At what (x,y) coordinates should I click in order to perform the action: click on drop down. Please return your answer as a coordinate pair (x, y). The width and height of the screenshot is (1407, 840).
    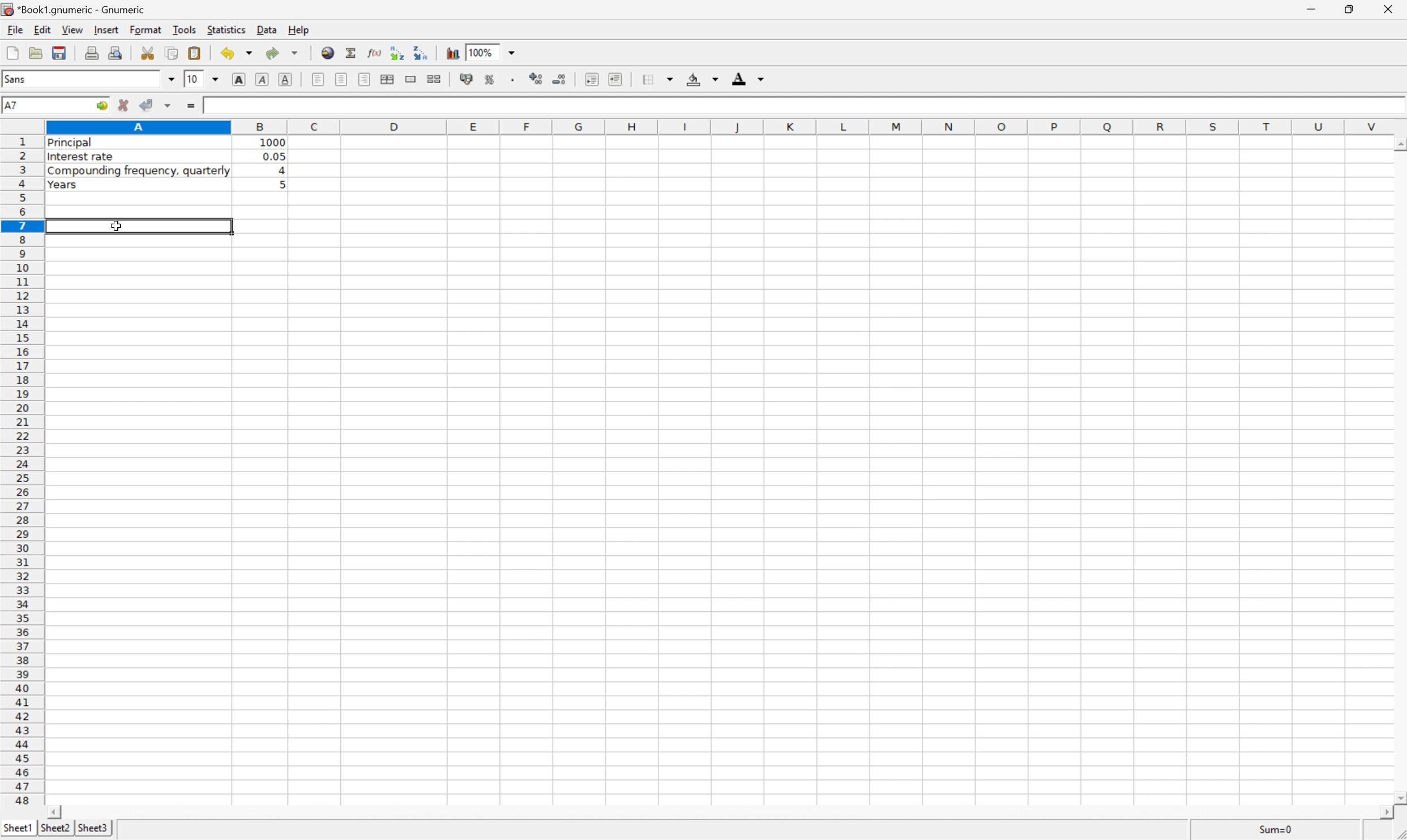
    Looking at the image, I should click on (216, 80).